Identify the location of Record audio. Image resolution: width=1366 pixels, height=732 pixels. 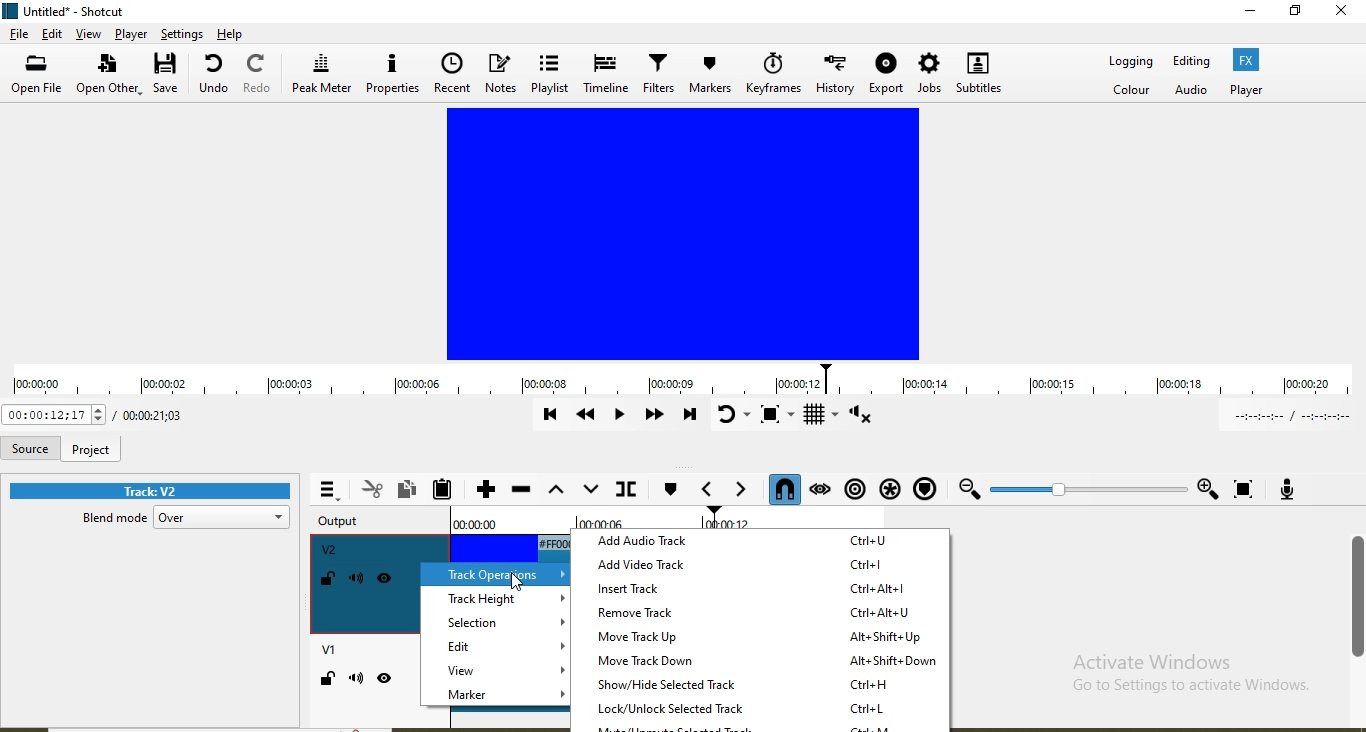
(1288, 488).